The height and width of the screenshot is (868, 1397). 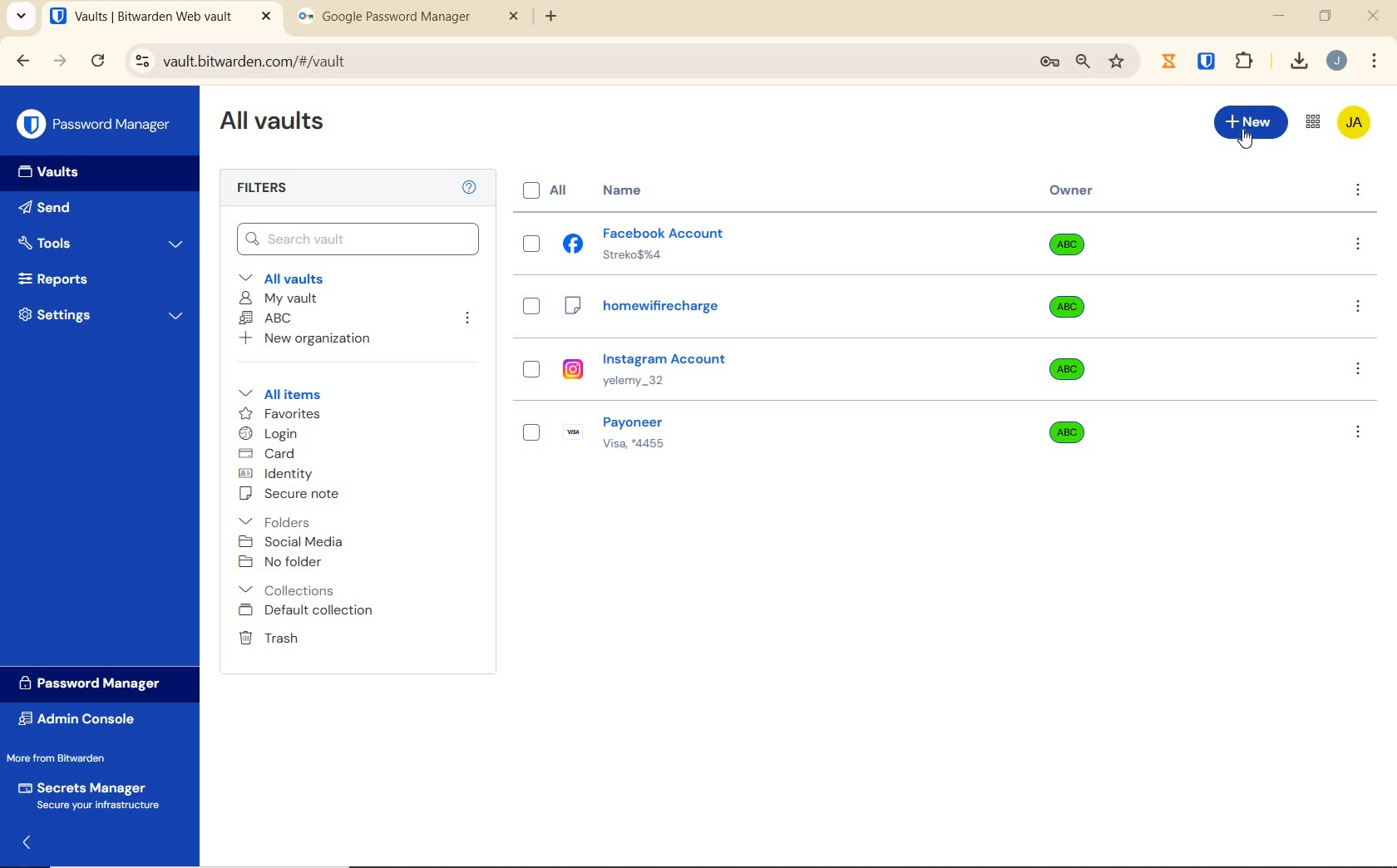 I want to click on payoneer, so click(x=624, y=432).